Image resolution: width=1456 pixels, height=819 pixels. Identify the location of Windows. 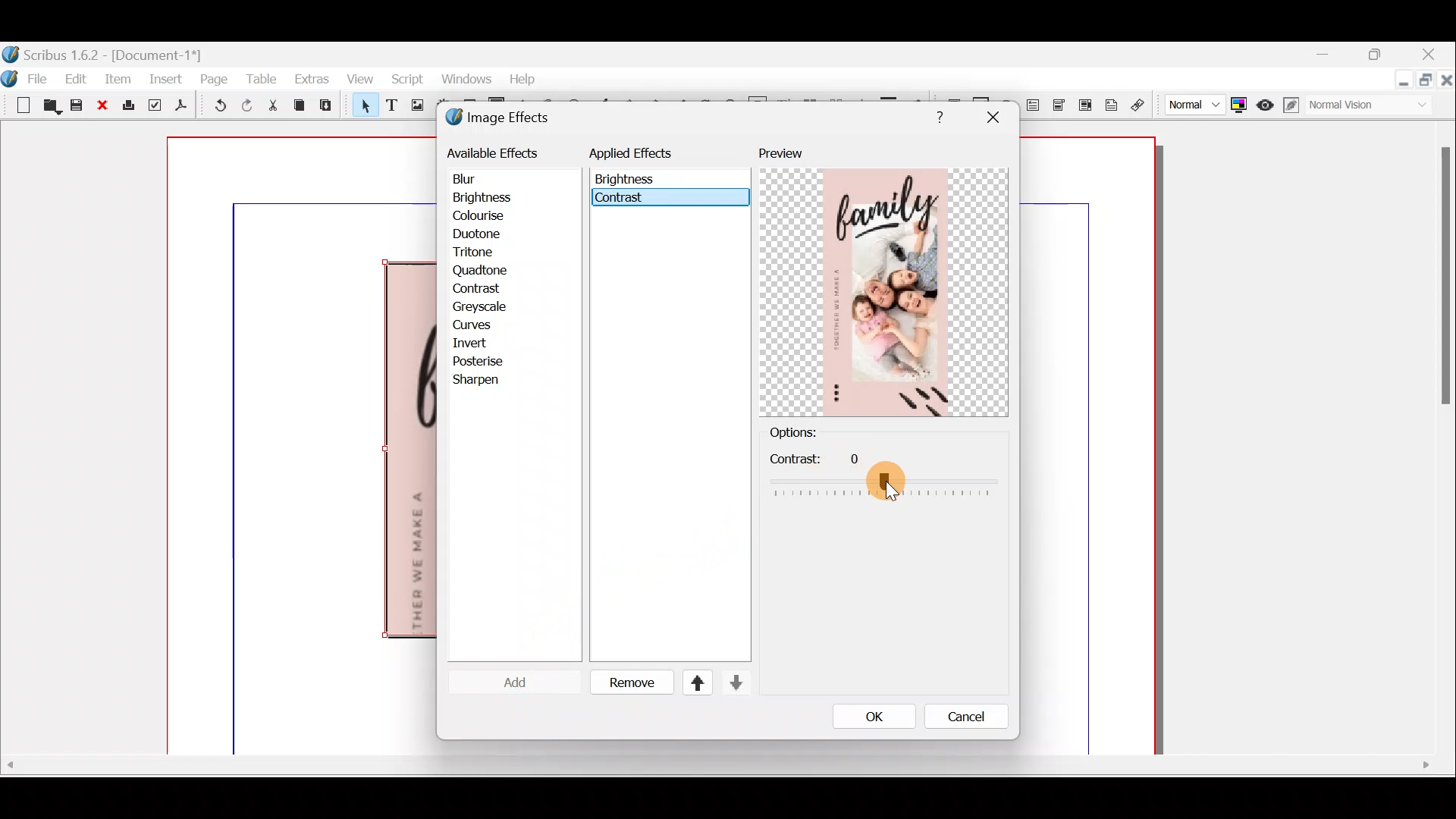
(462, 80).